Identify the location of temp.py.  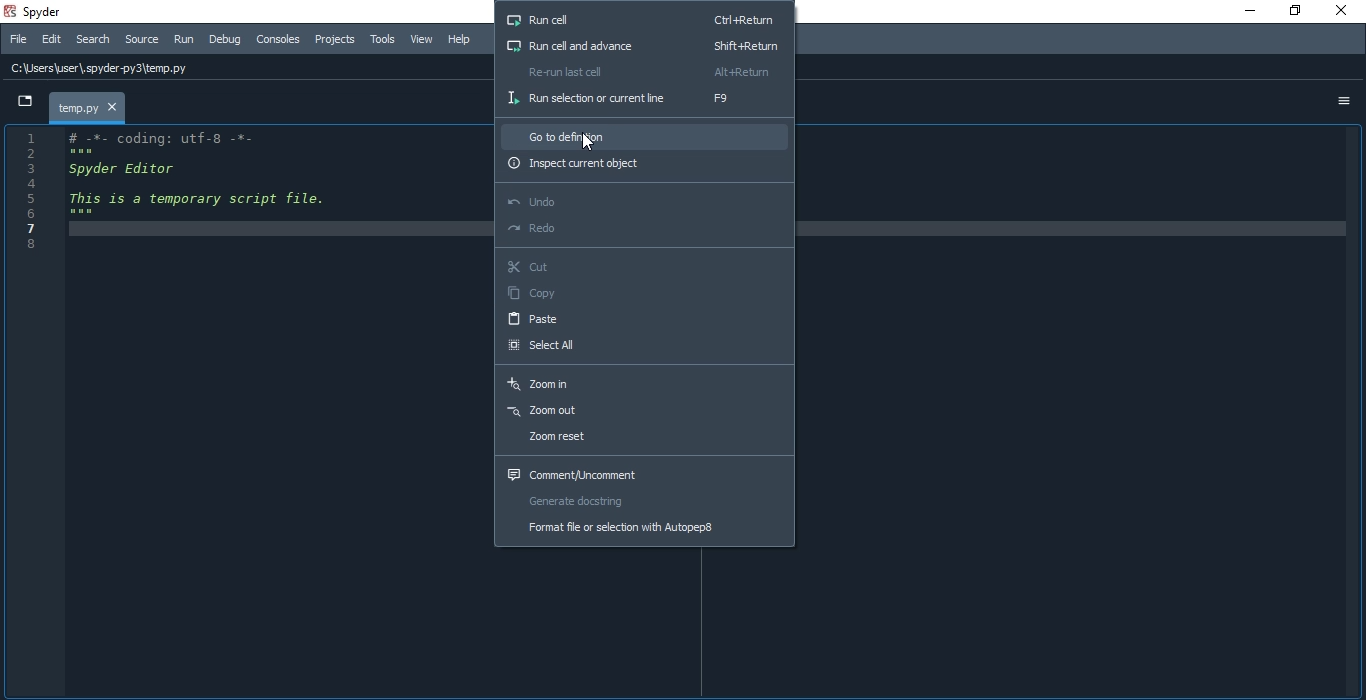
(87, 107).